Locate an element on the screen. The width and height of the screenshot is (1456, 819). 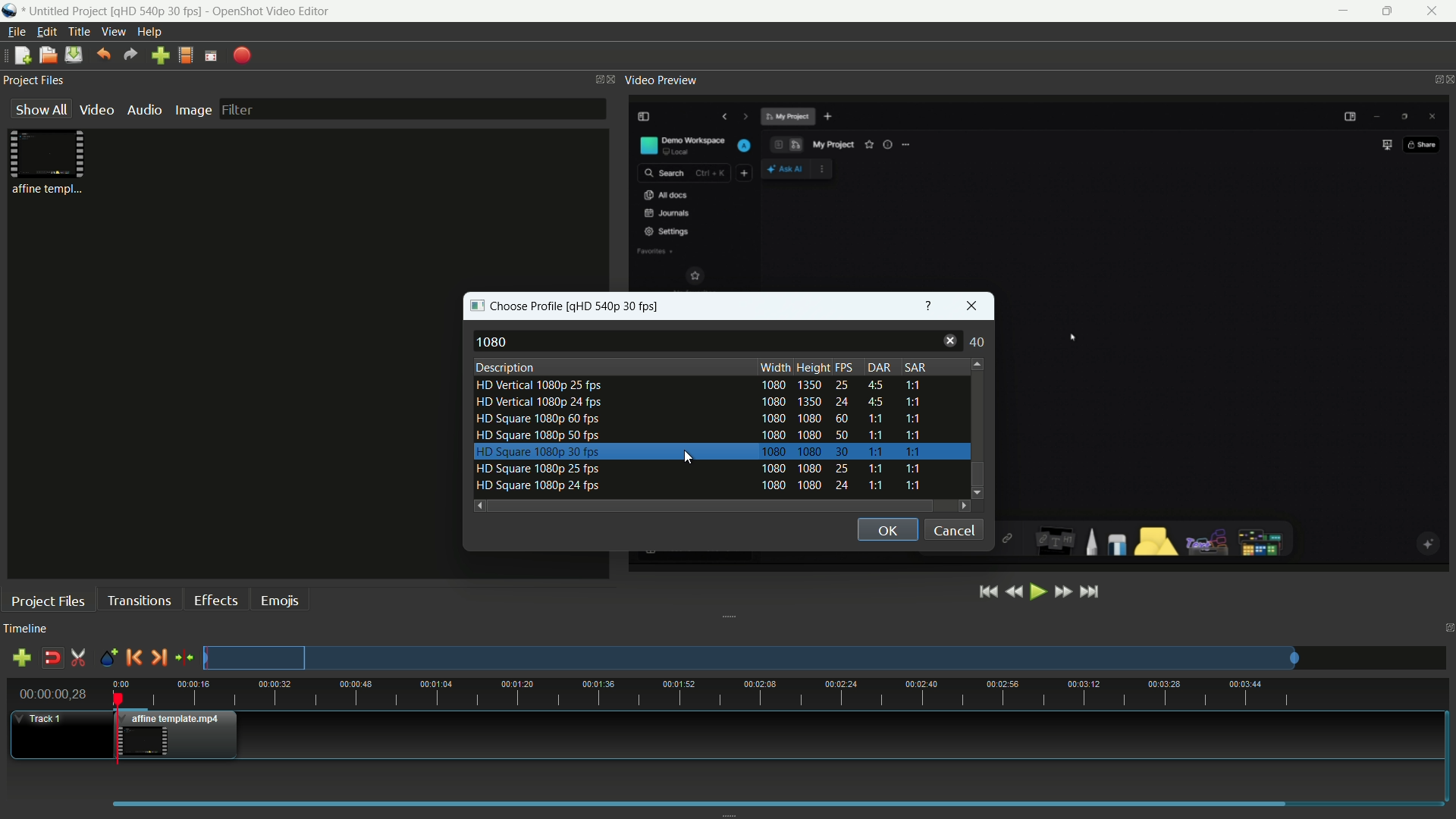
scroll bar is located at coordinates (976, 413).